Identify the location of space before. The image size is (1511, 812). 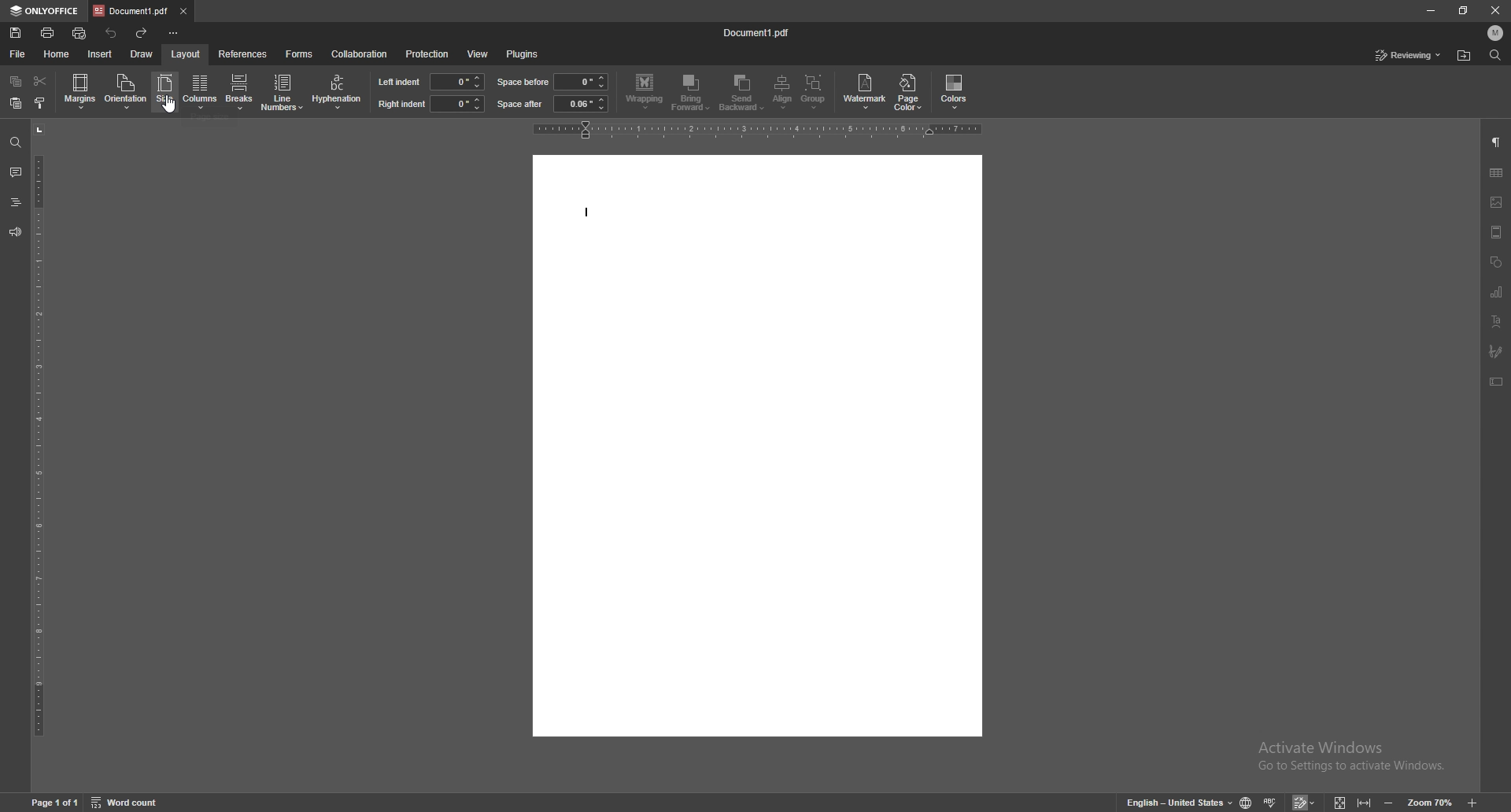
(524, 82).